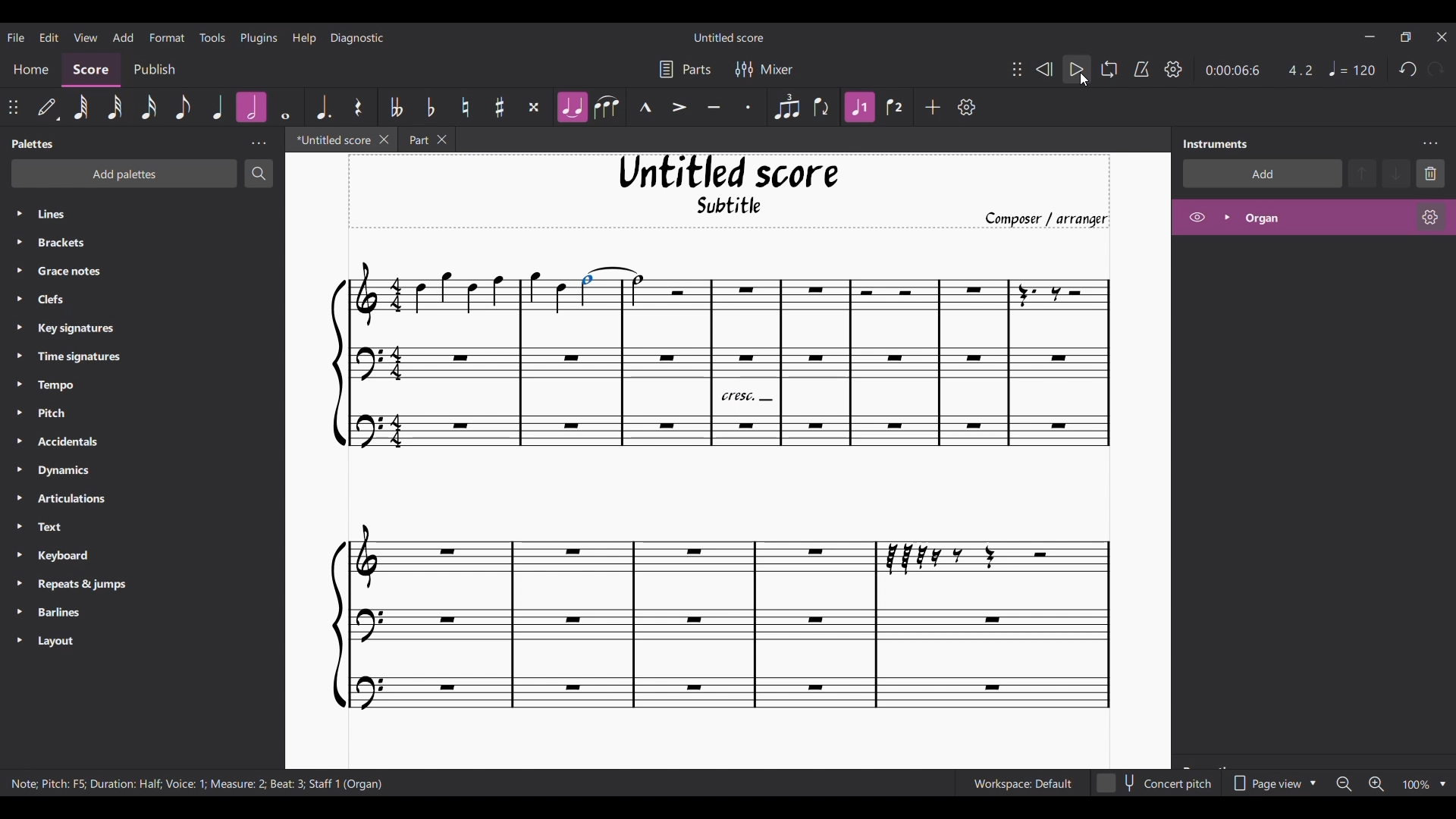 This screenshot has width=1456, height=819. I want to click on Rest, so click(359, 106).